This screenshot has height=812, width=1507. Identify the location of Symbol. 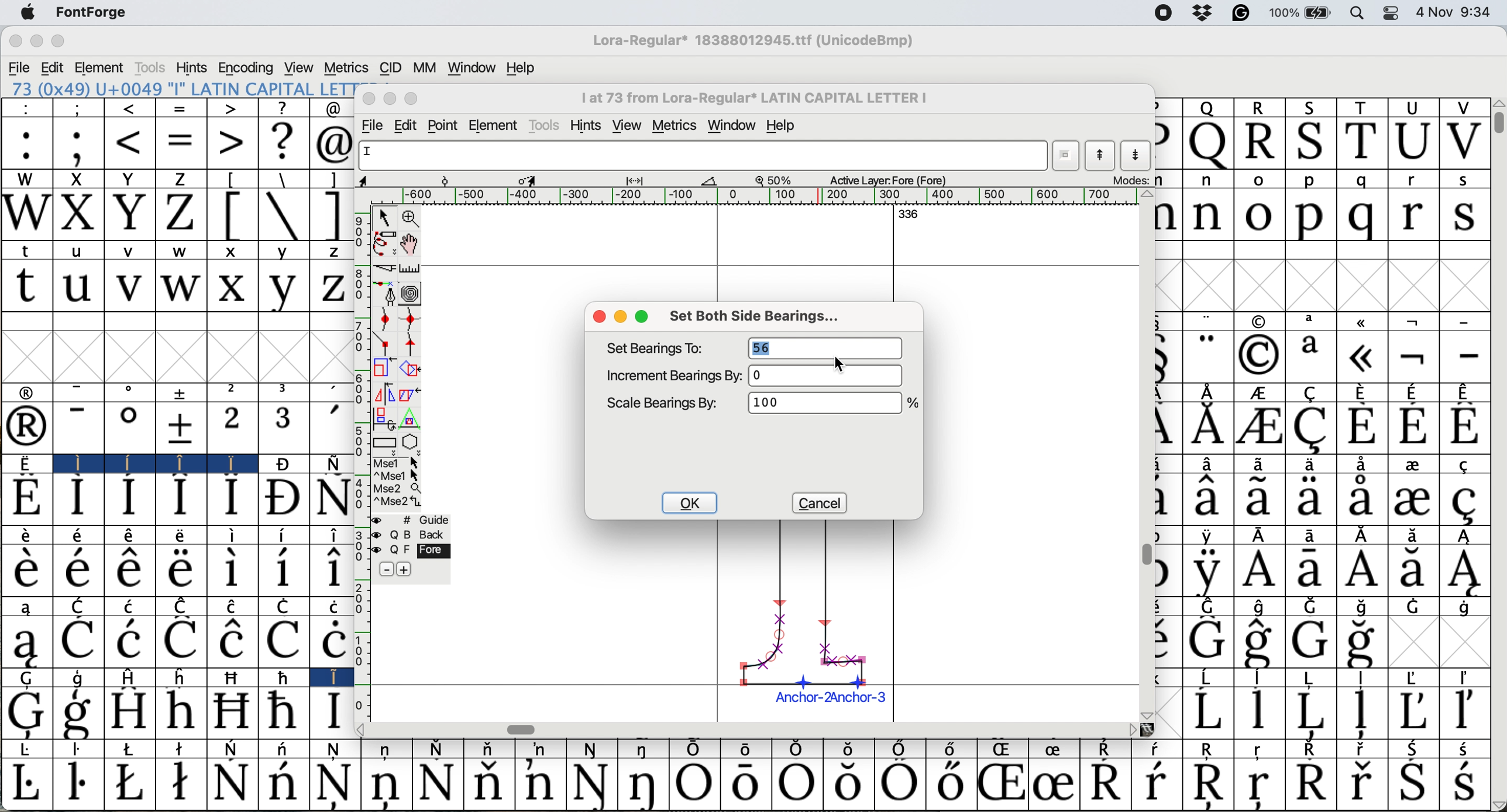
(78, 498).